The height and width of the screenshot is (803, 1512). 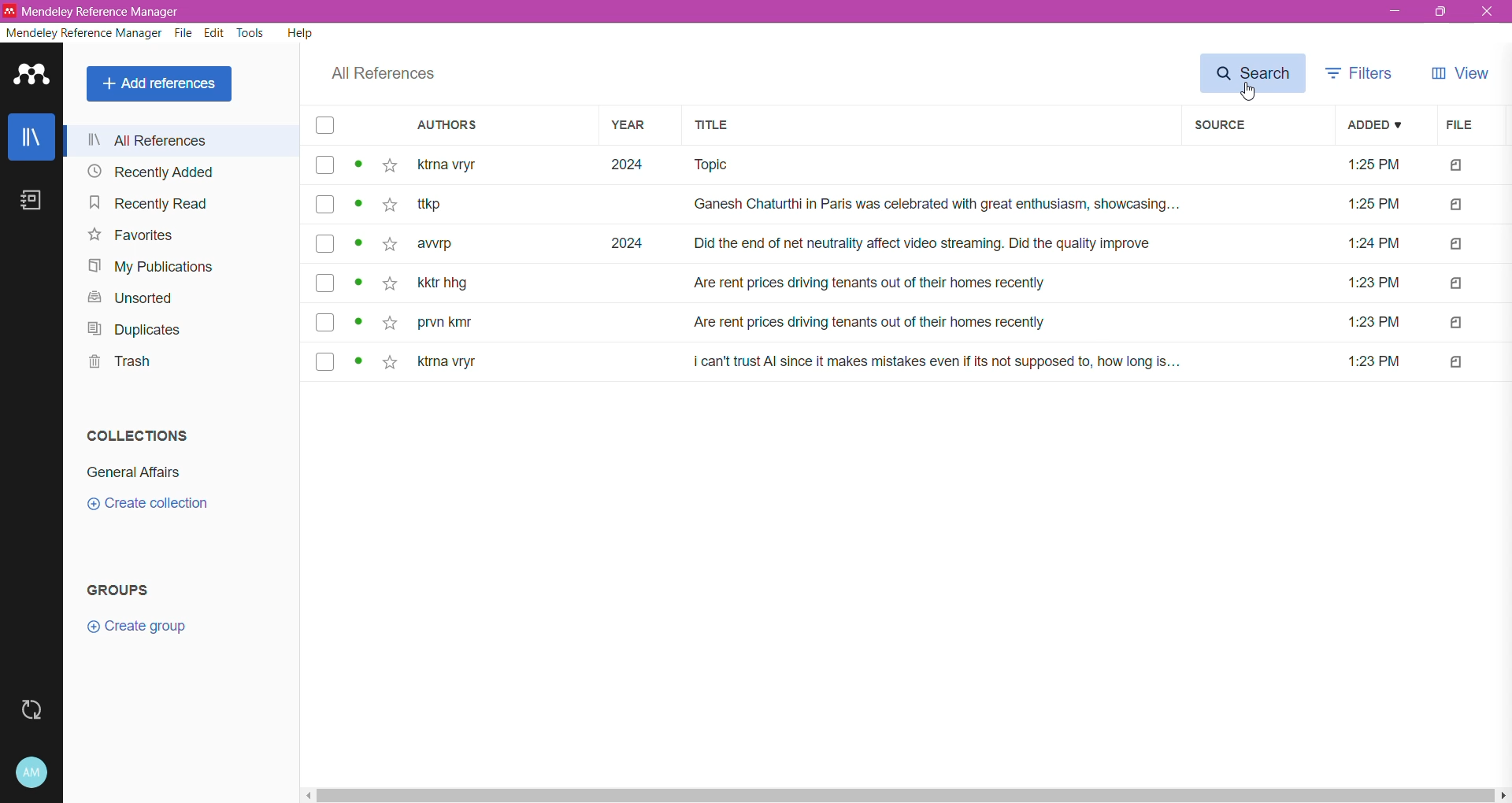 I want to click on select file, so click(x=321, y=362).